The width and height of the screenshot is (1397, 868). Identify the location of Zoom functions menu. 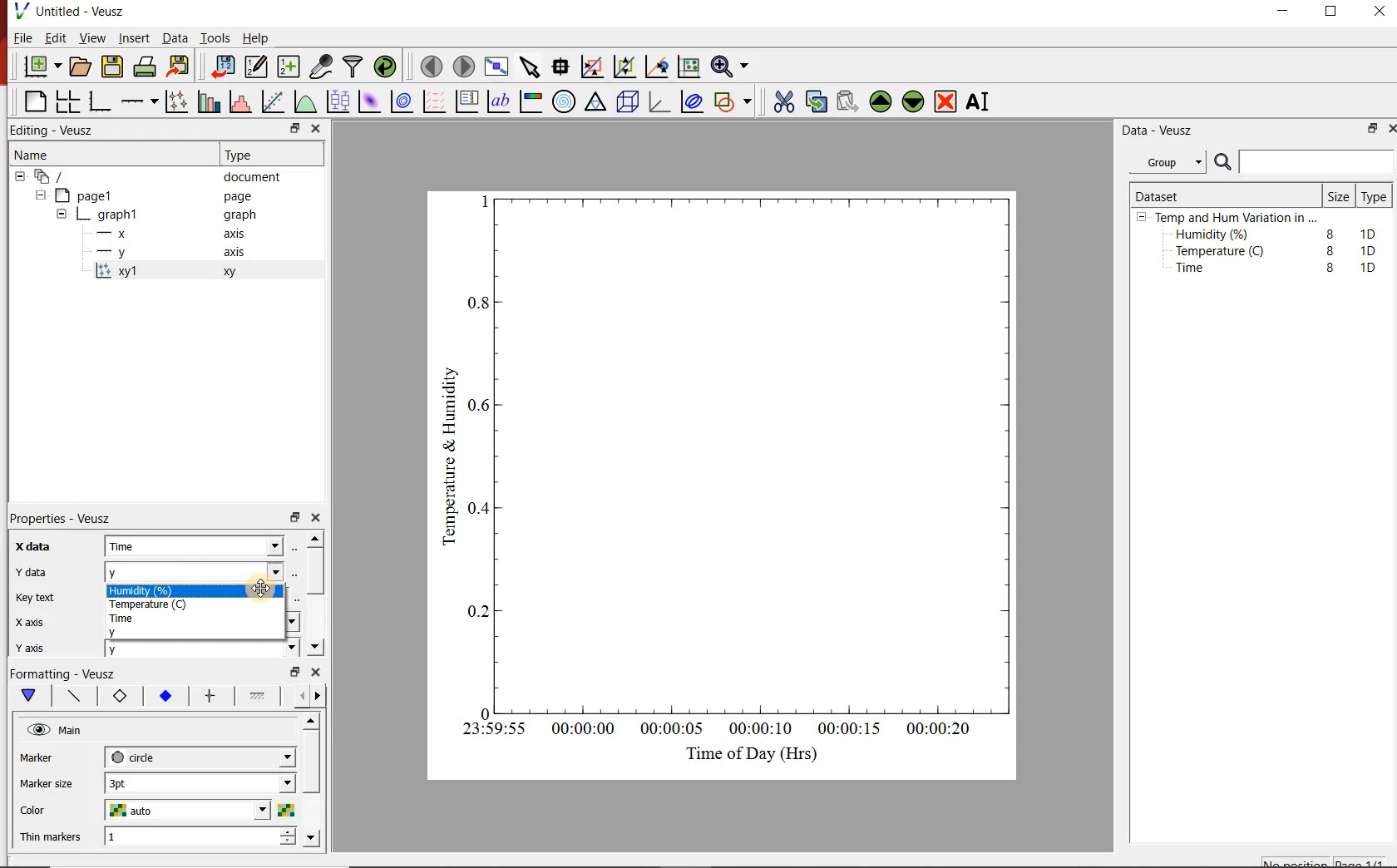
(729, 66).